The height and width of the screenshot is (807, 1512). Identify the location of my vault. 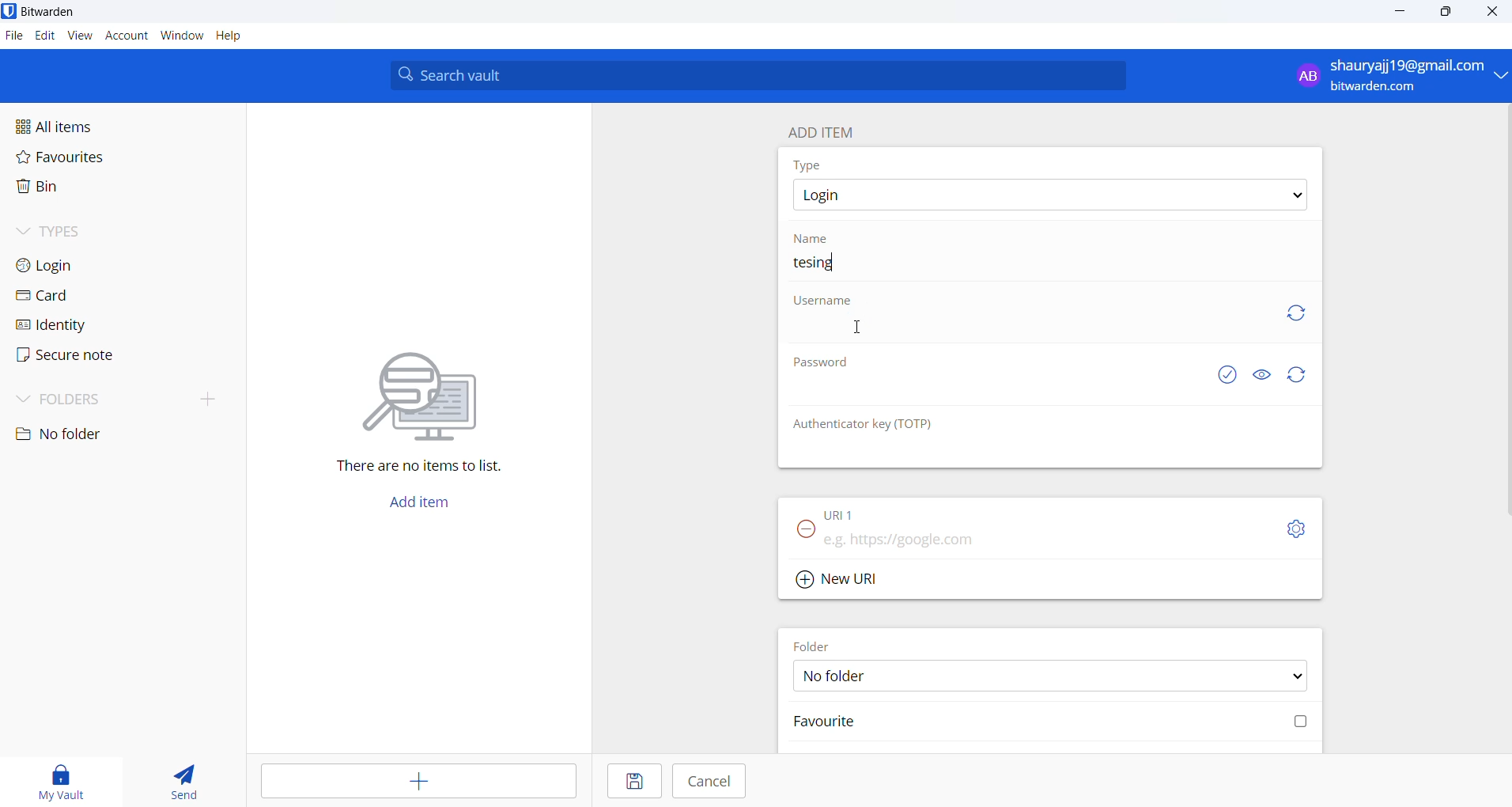
(55, 779).